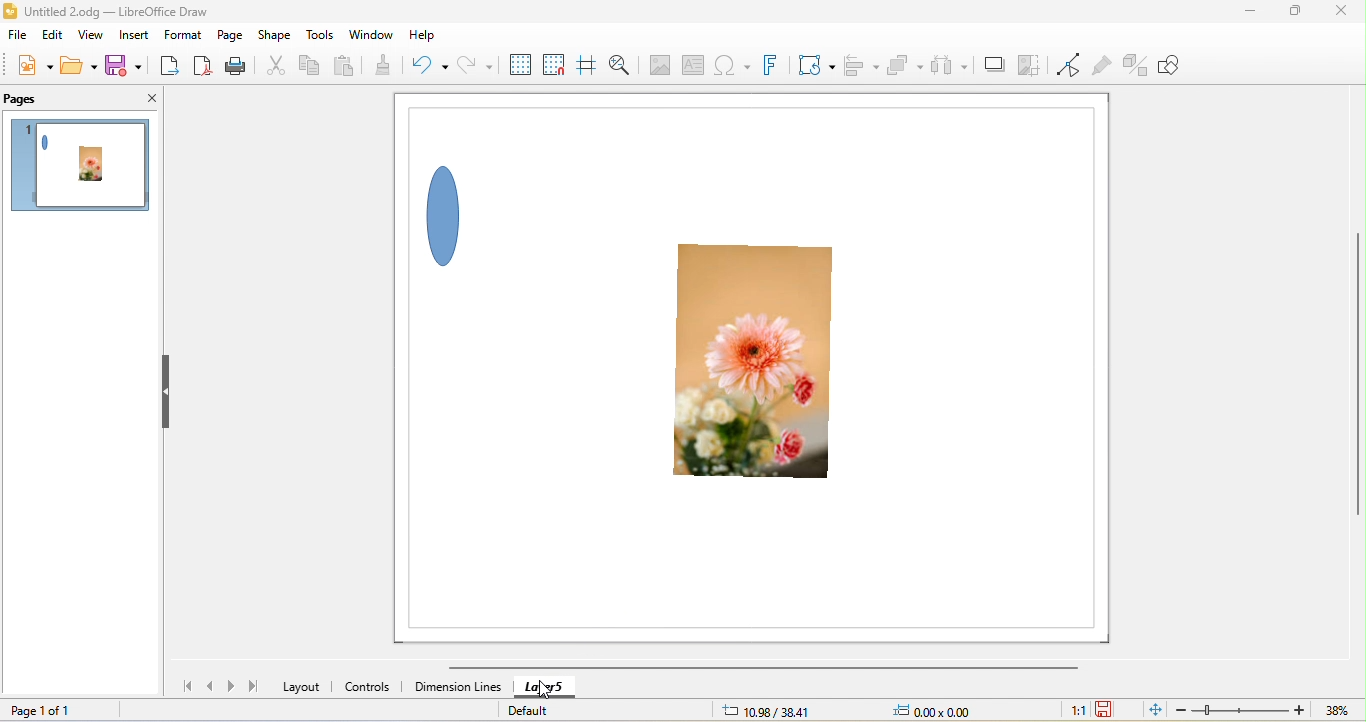 Image resolution: width=1366 pixels, height=722 pixels. What do you see at coordinates (311, 67) in the screenshot?
I see `copy` at bounding box center [311, 67].